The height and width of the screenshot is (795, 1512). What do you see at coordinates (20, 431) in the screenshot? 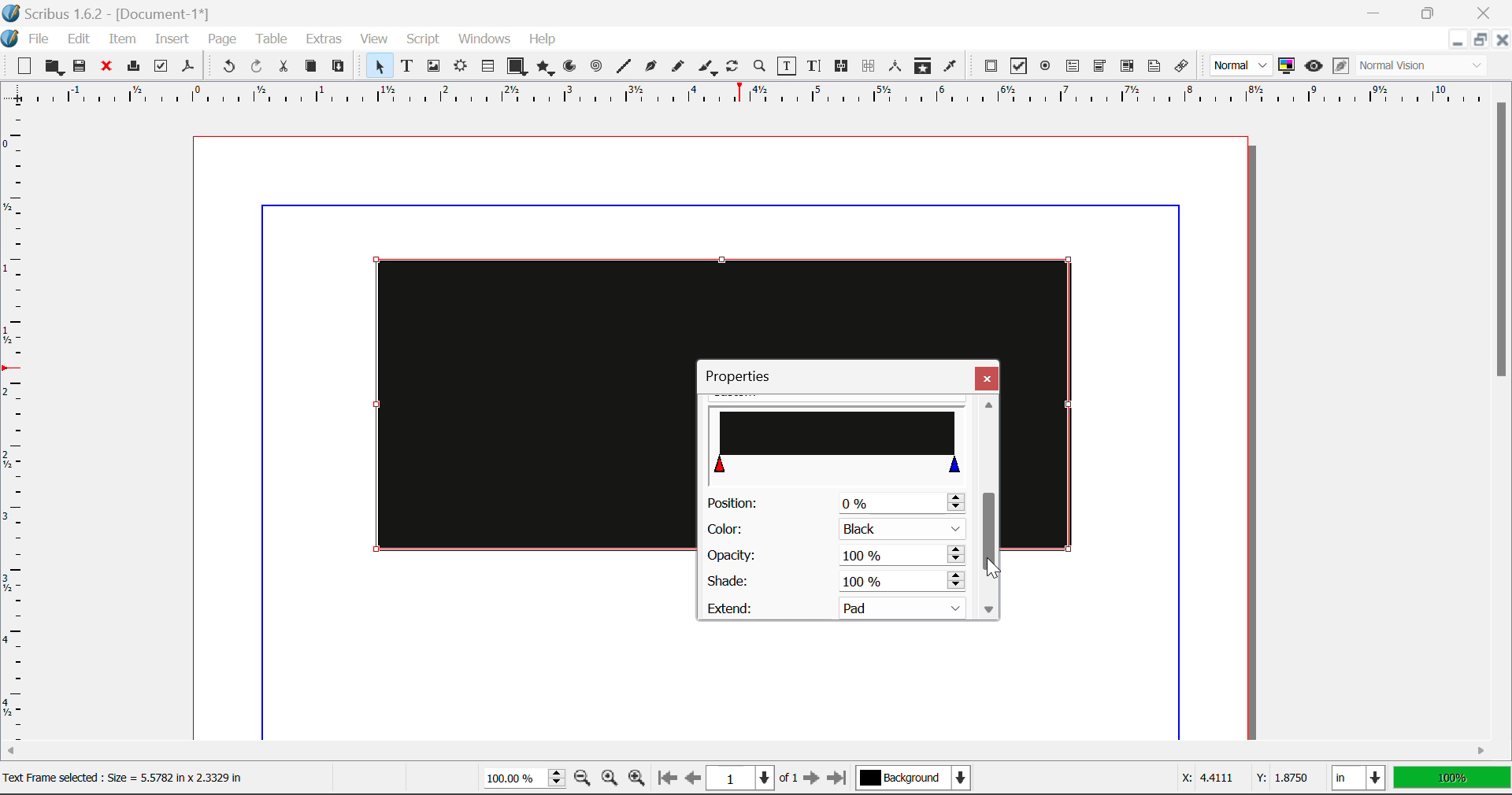
I see `Horizontal Page Margins` at bounding box center [20, 431].